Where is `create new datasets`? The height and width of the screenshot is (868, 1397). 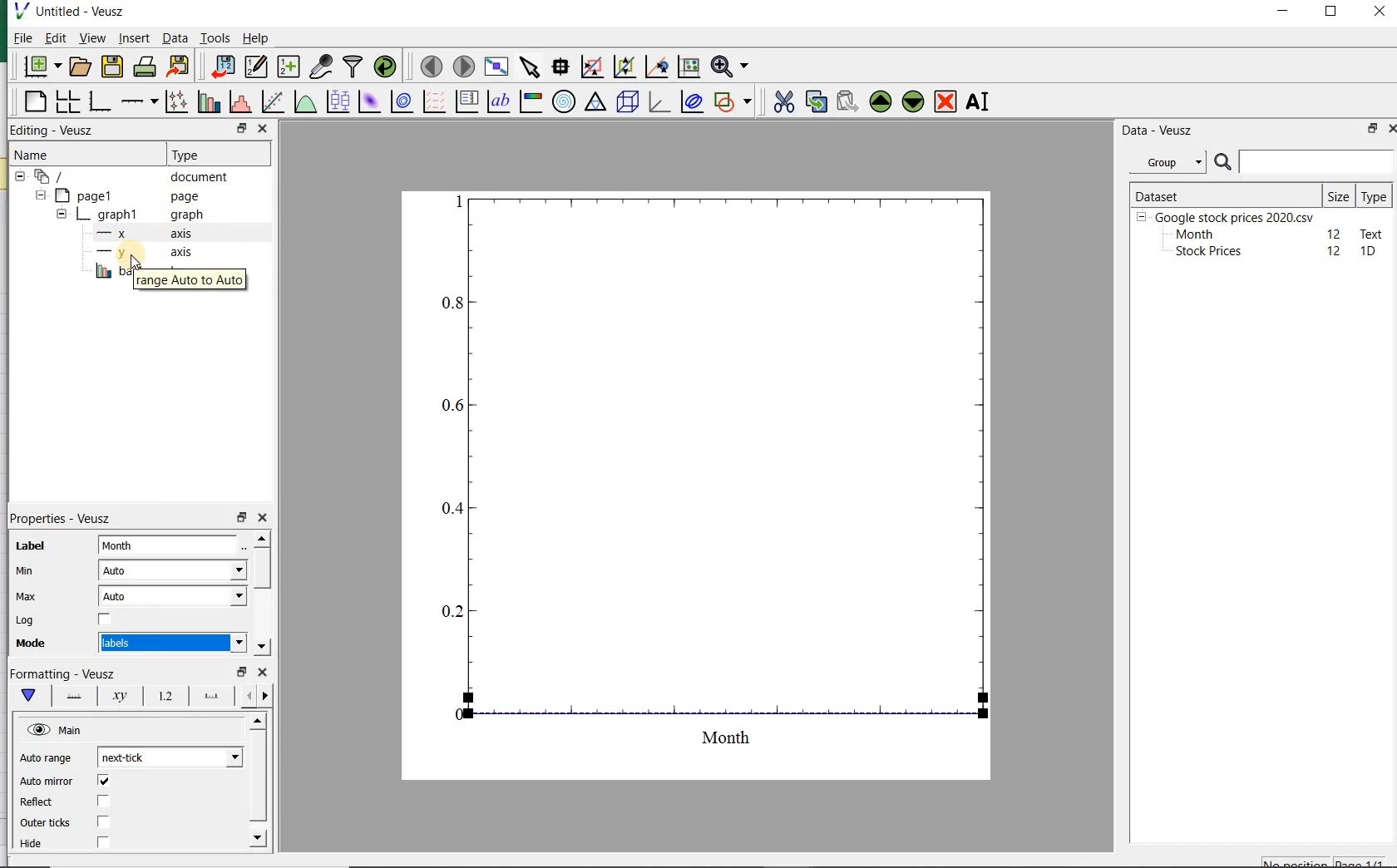
create new datasets is located at coordinates (289, 67).